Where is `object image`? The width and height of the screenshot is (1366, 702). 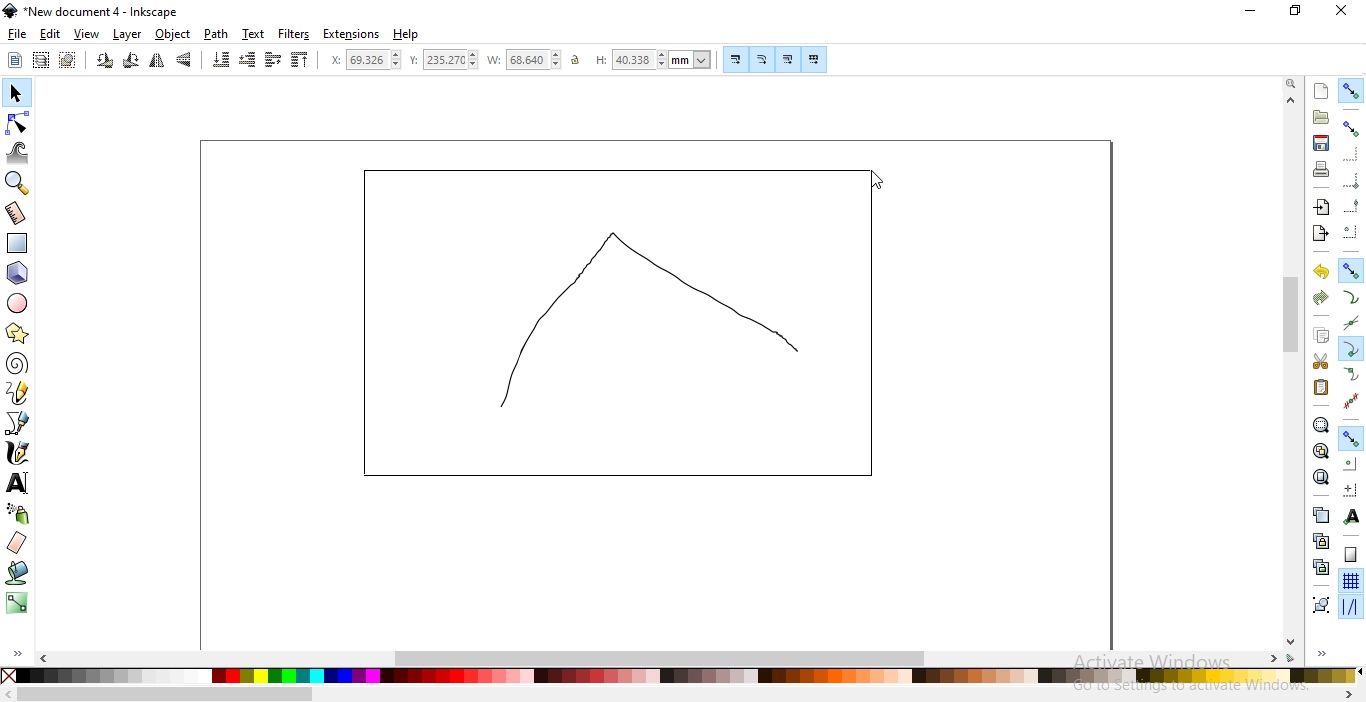
object image is located at coordinates (628, 322).